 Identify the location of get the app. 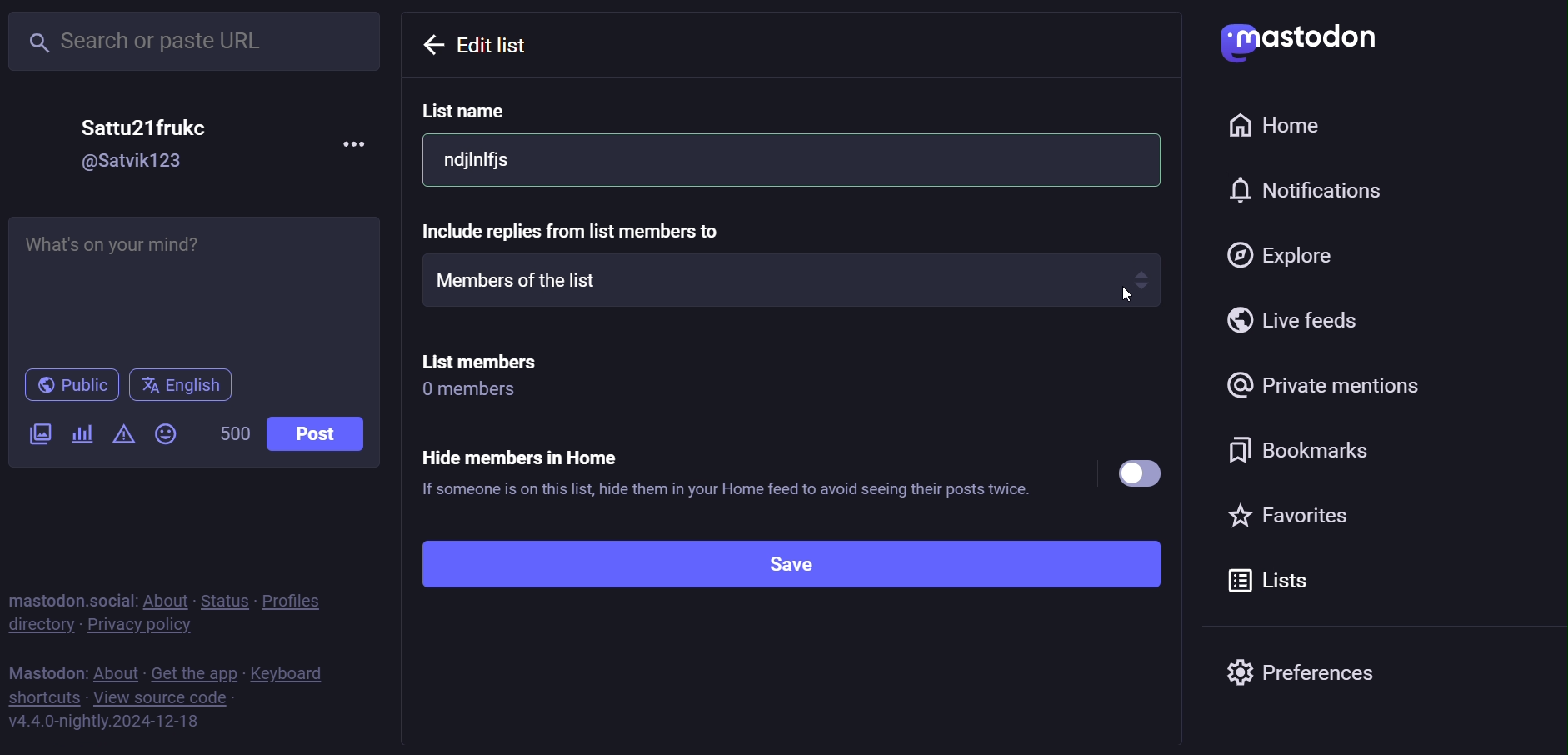
(196, 672).